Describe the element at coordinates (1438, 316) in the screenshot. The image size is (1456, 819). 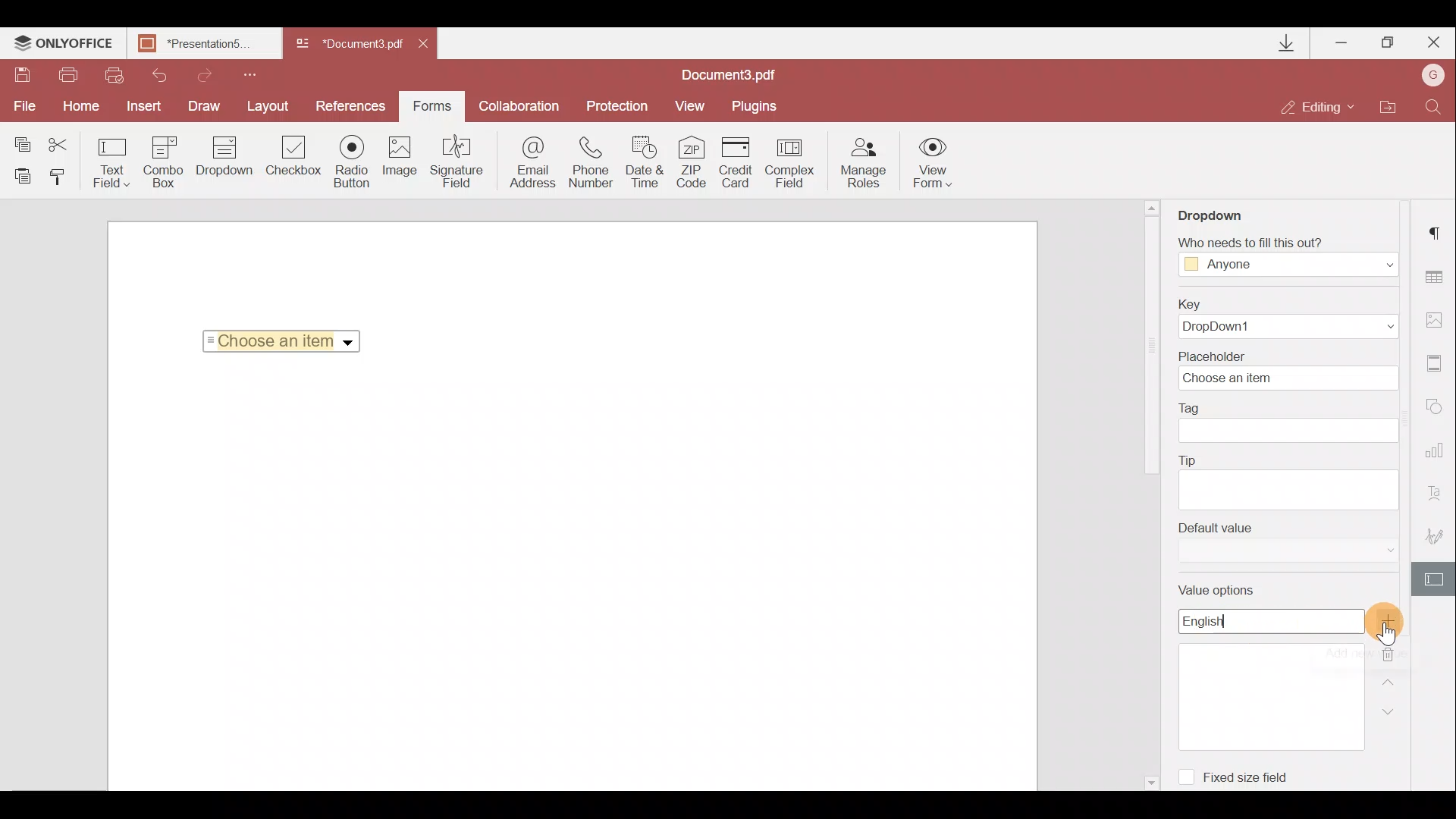
I see `Image settings` at that location.